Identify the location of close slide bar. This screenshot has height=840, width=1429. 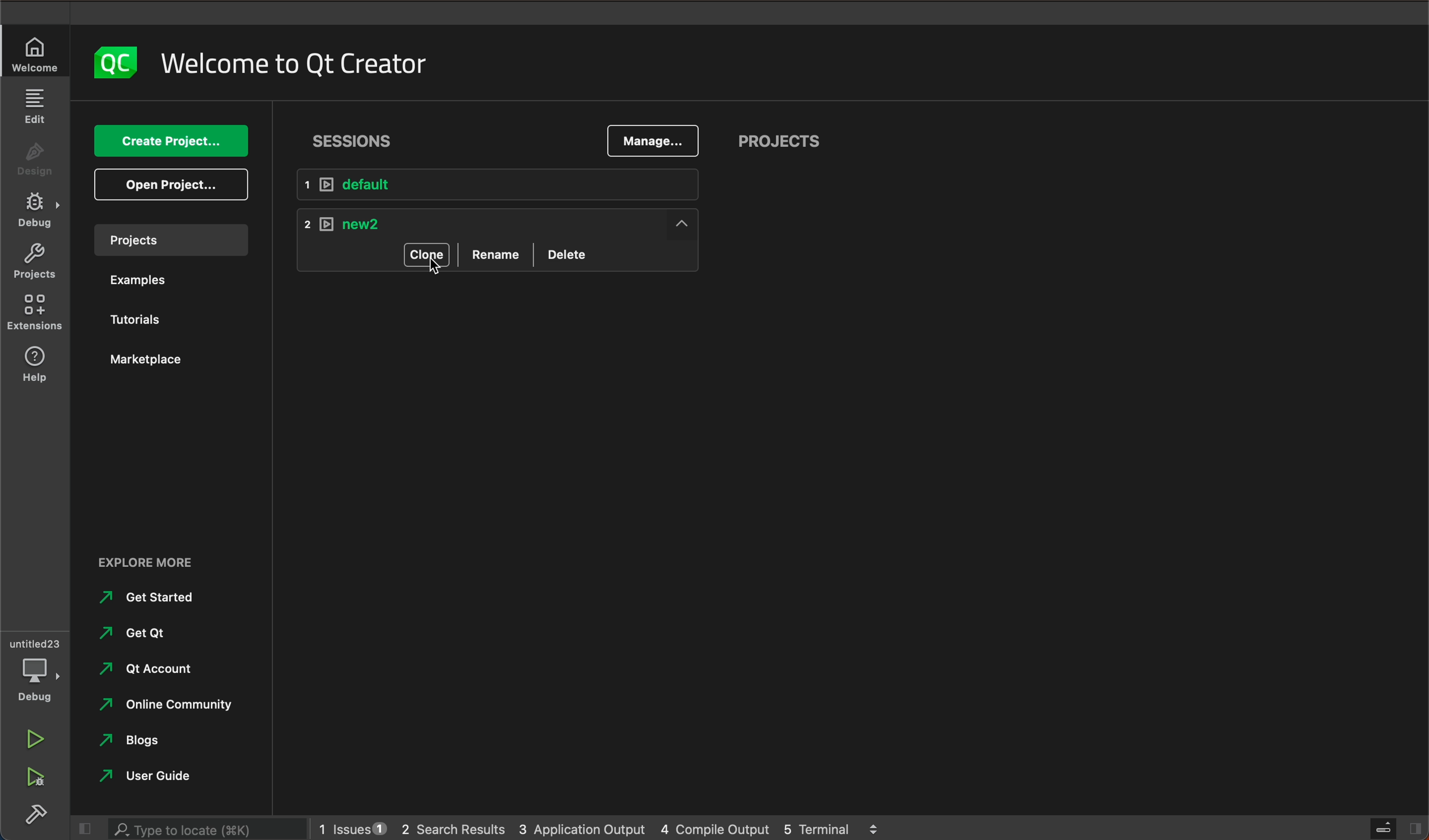
(83, 828).